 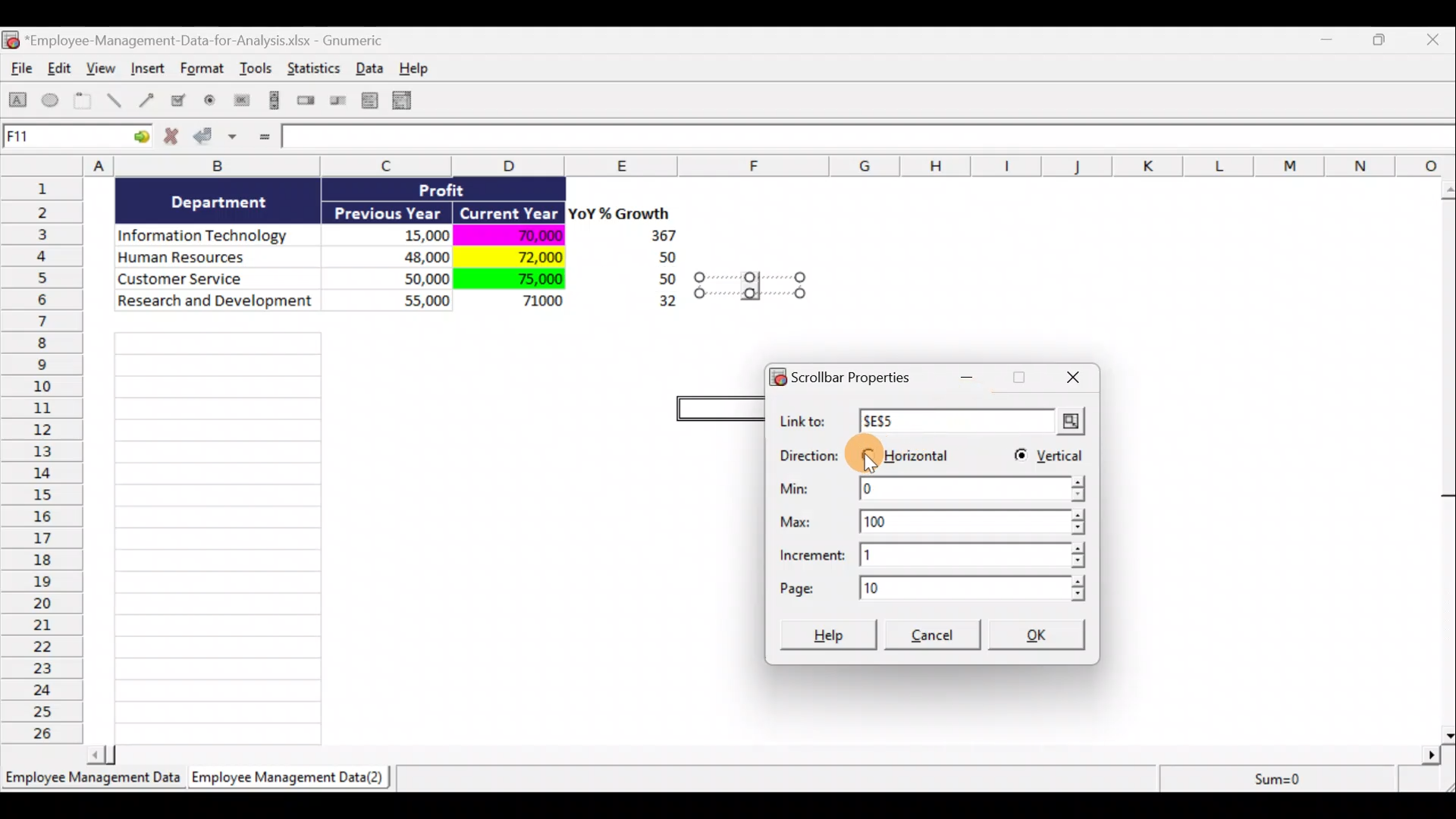 I want to click on Sheet 2, so click(x=292, y=781).